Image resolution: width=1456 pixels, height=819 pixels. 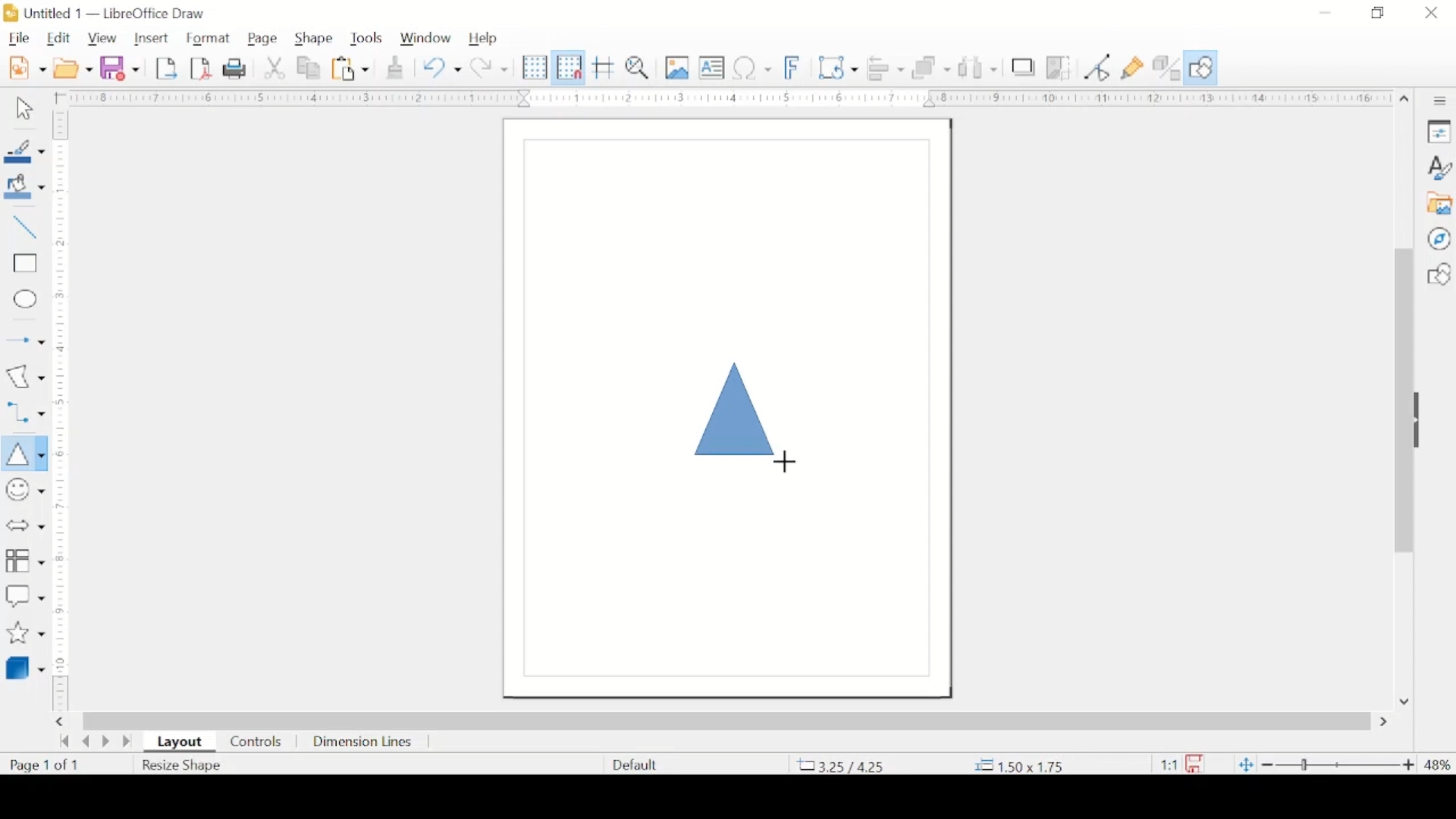 What do you see at coordinates (1376, 13) in the screenshot?
I see `restore down` at bounding box center [1376, 13].